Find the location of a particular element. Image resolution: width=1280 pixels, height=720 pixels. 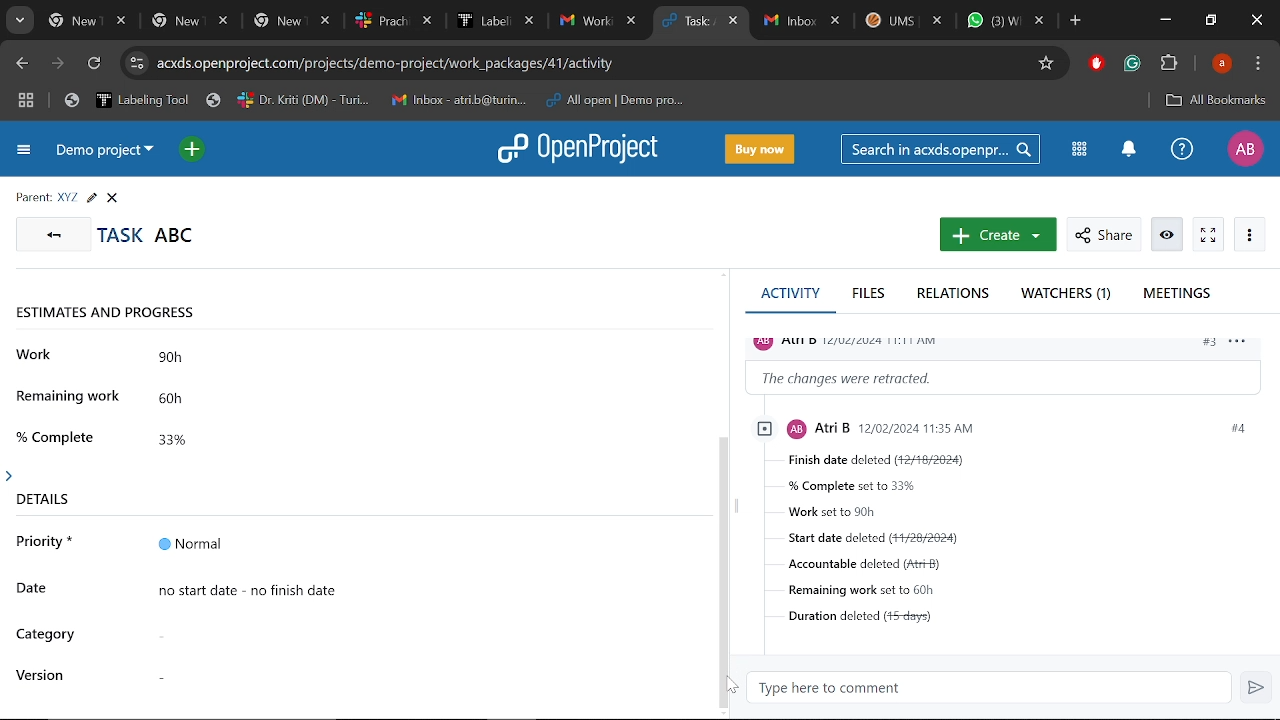

90h is located at coordinates (203, 360).